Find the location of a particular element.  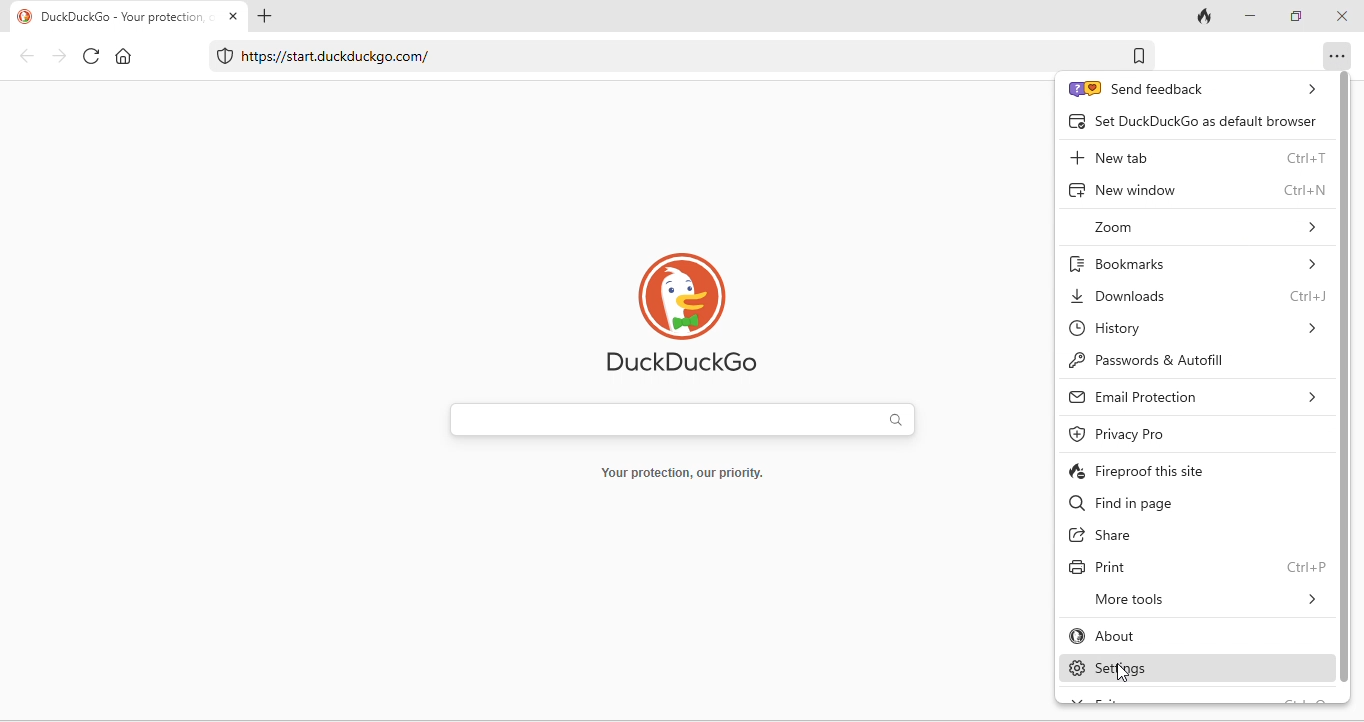

duckduckgo logo is located at coordinates (681, 311).